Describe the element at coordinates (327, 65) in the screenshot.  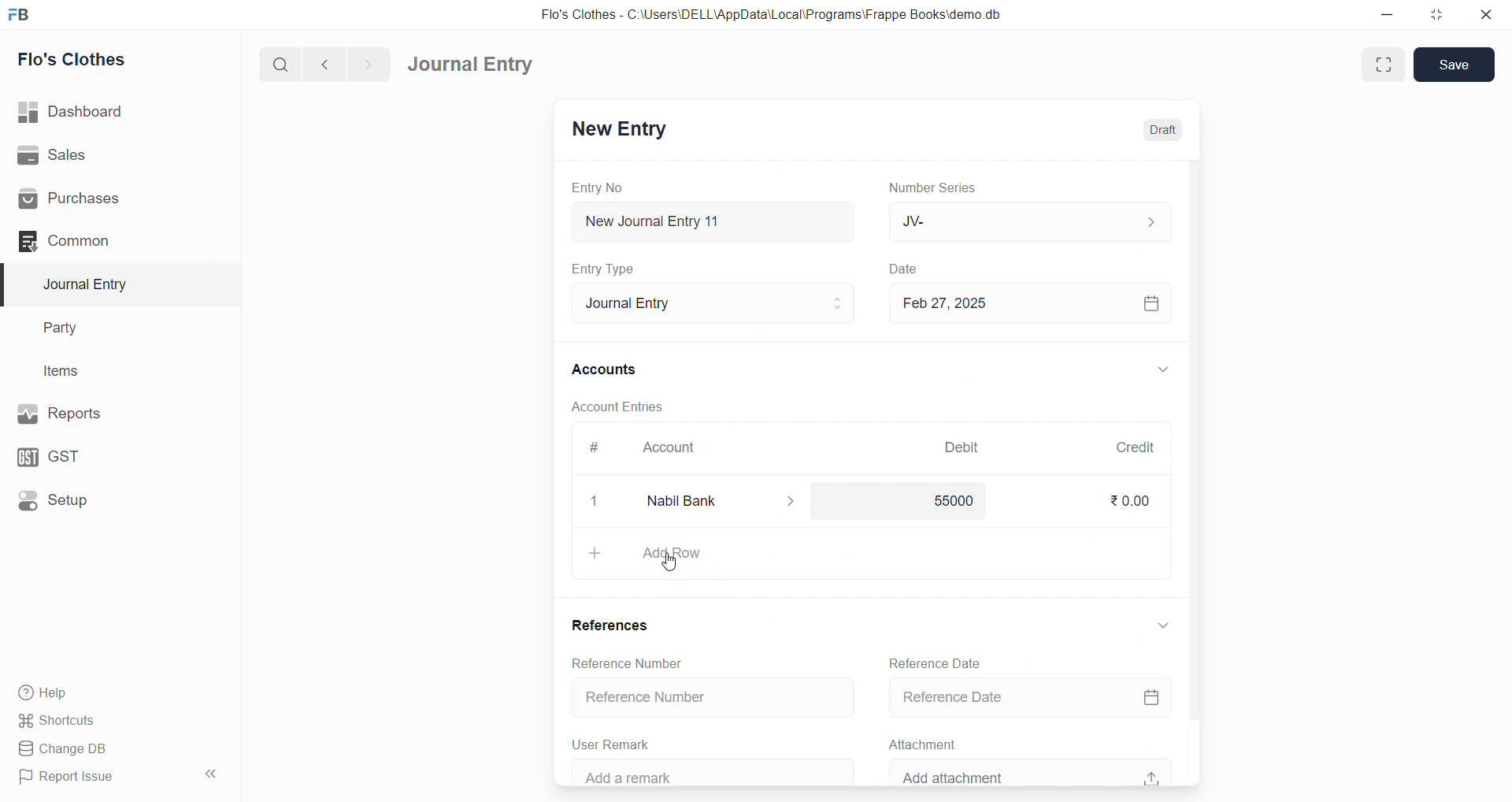
I see `navigate backward` at that location.